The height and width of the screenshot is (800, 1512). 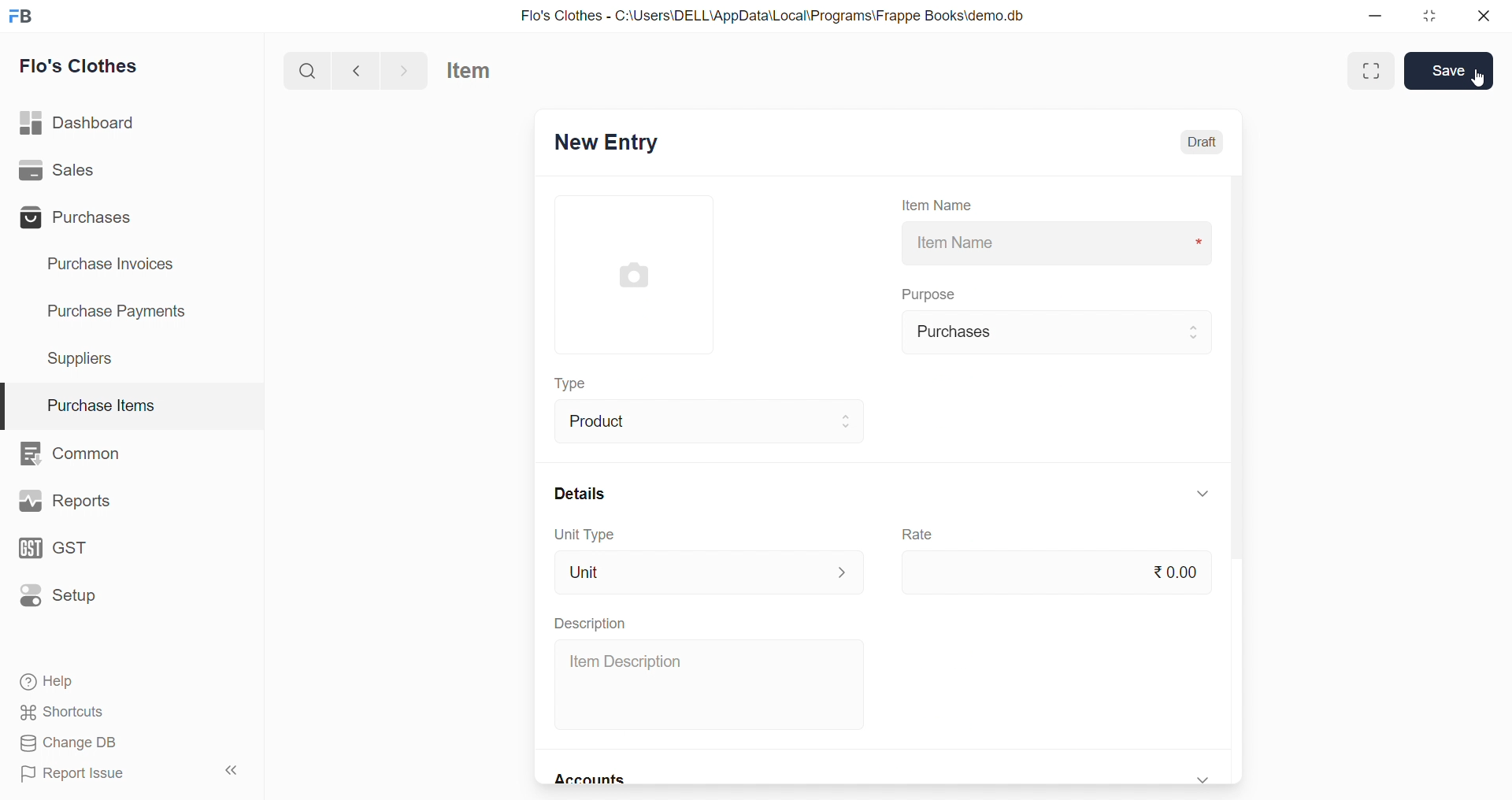 I want to click on Details, so click(x=576, y=493).